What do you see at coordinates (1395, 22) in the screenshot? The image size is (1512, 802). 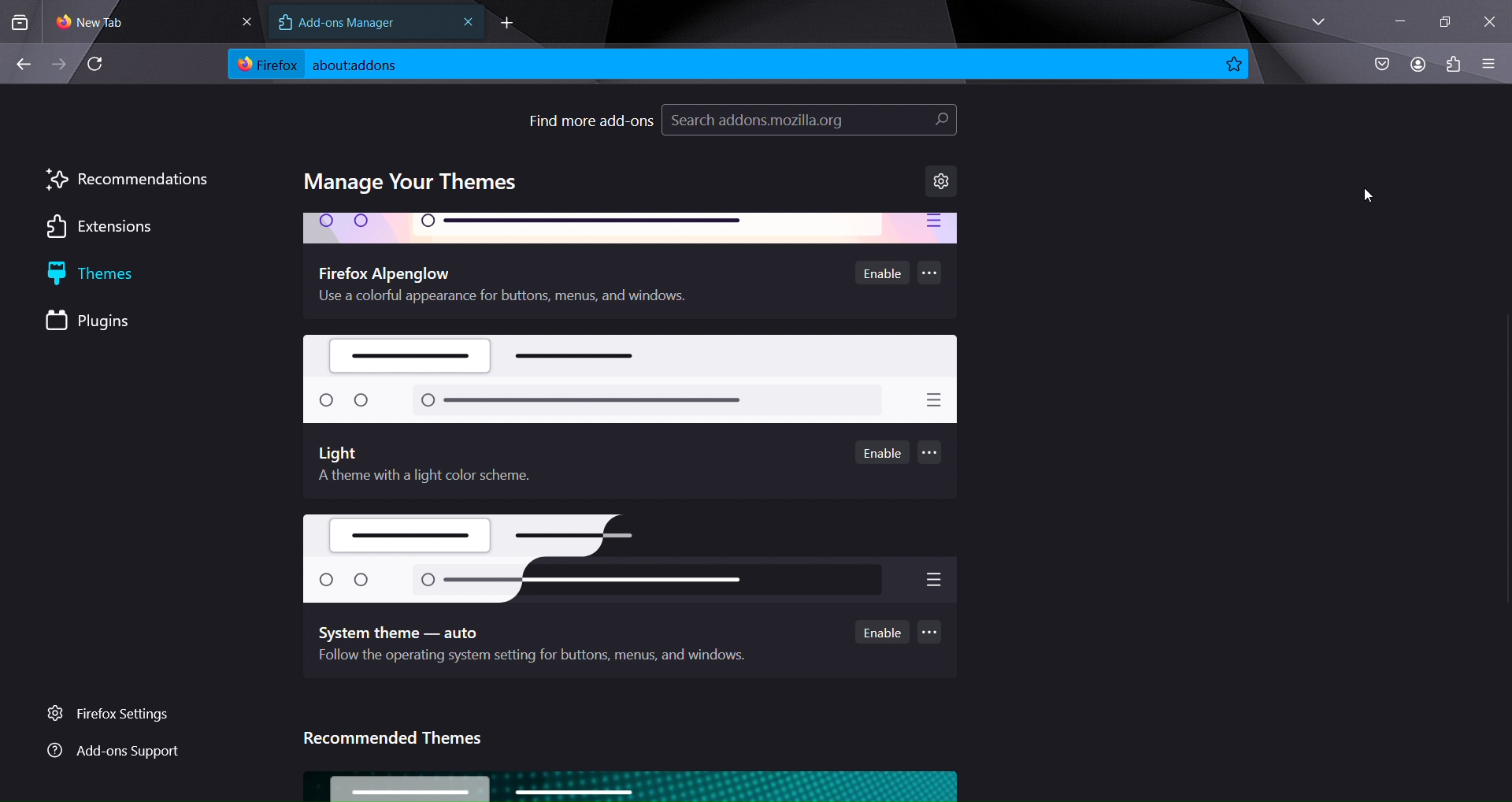 I see `minimize` at bounding box center [1395, 22].